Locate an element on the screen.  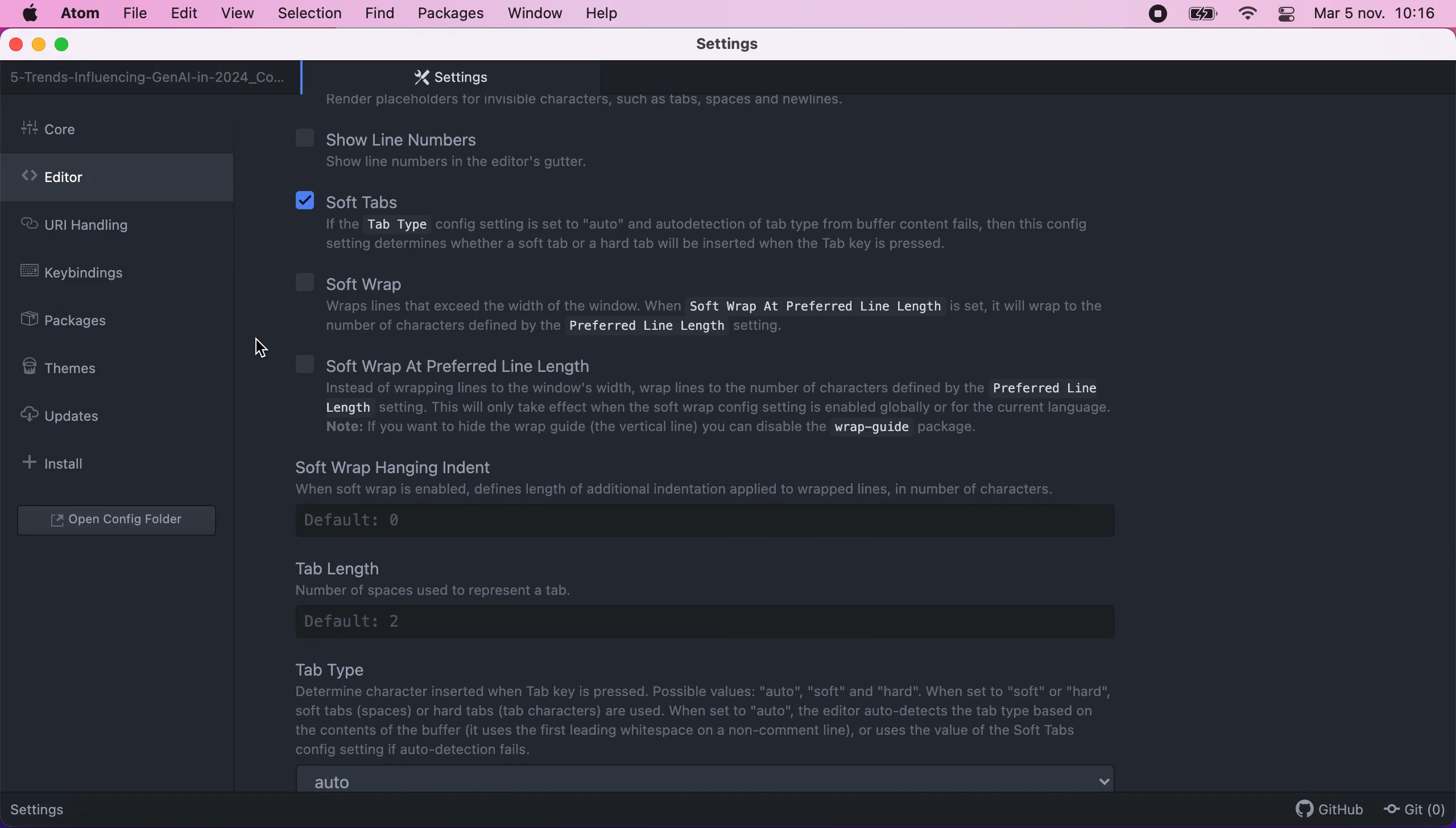
show line numbers is located at coordinates (471, 148).